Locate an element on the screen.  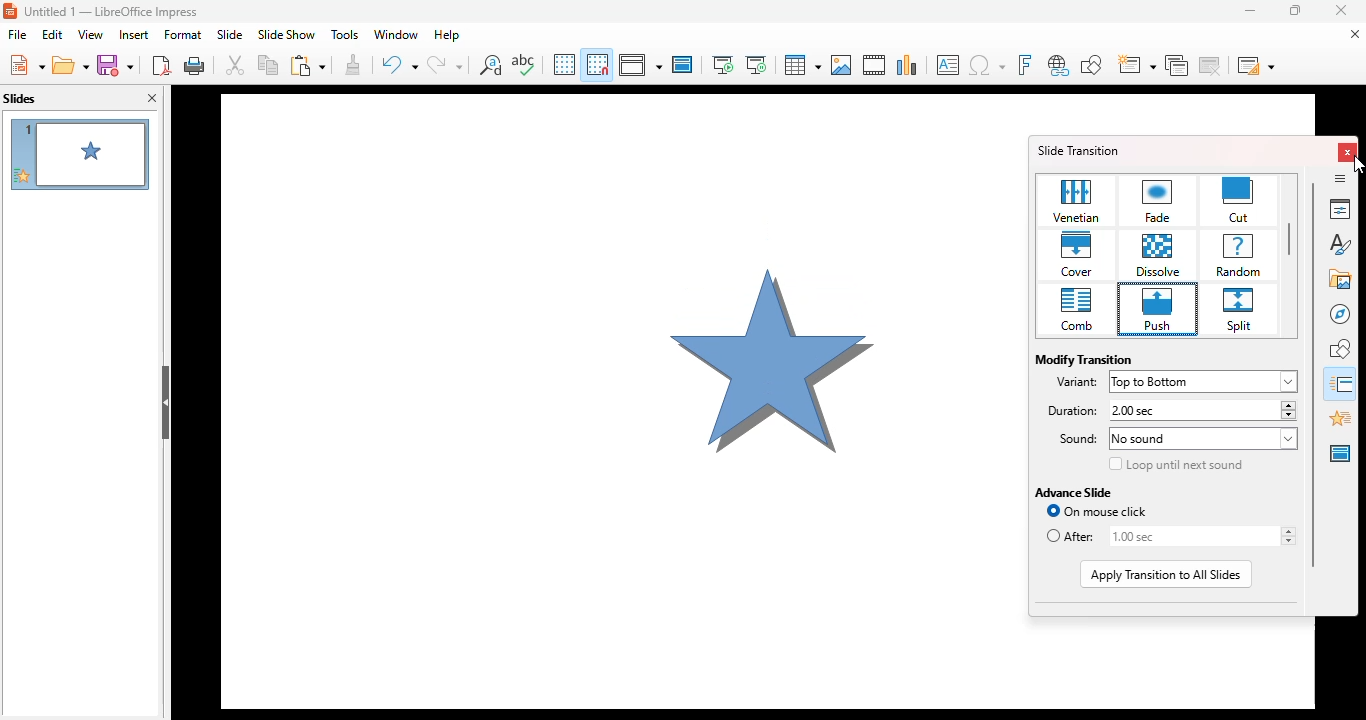
slide 1 is located at coordinates (94, 154).